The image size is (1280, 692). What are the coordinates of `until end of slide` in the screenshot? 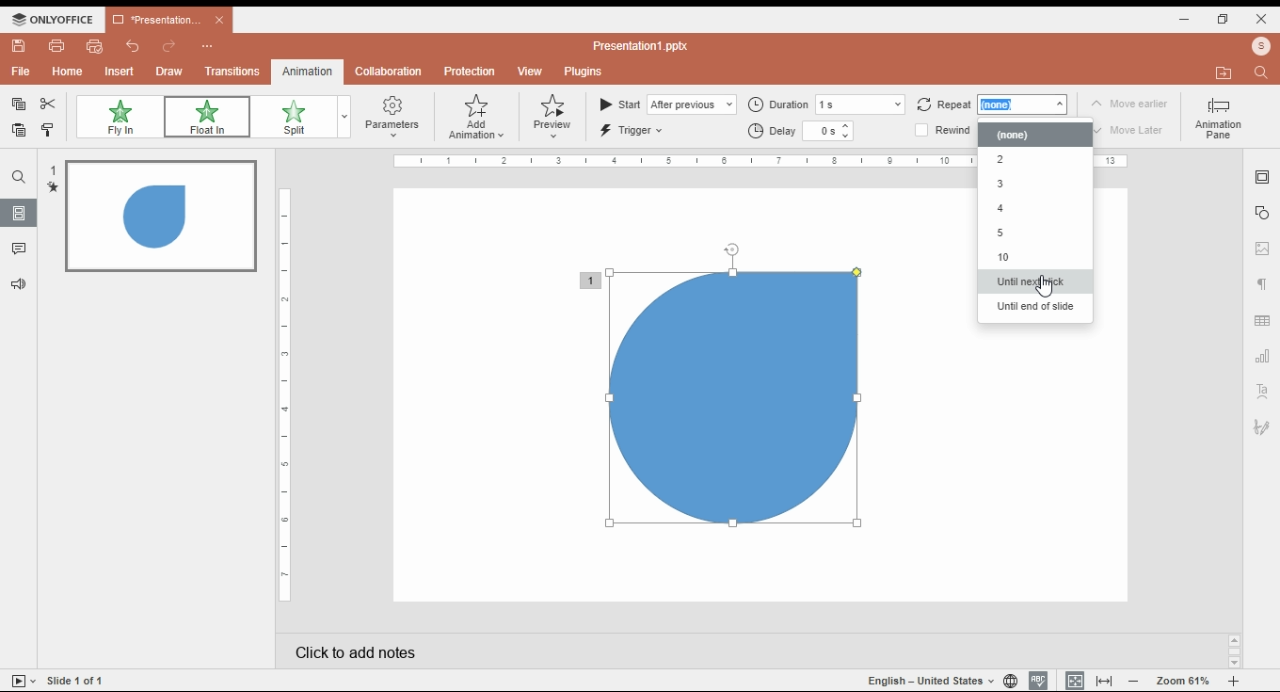 It's located at (1033, 308).